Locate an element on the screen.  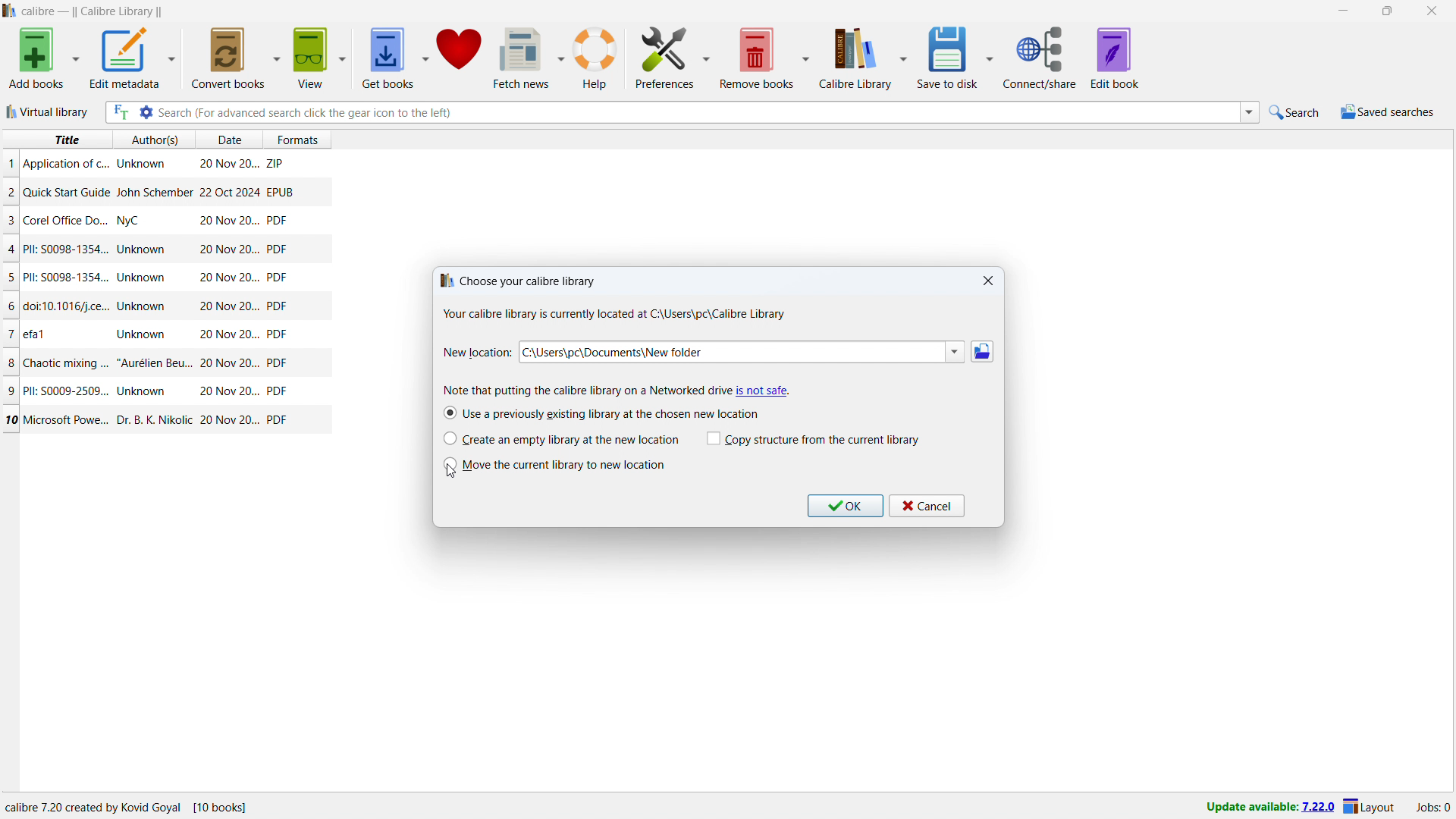
advanced search is located at coordinates (145, 112).